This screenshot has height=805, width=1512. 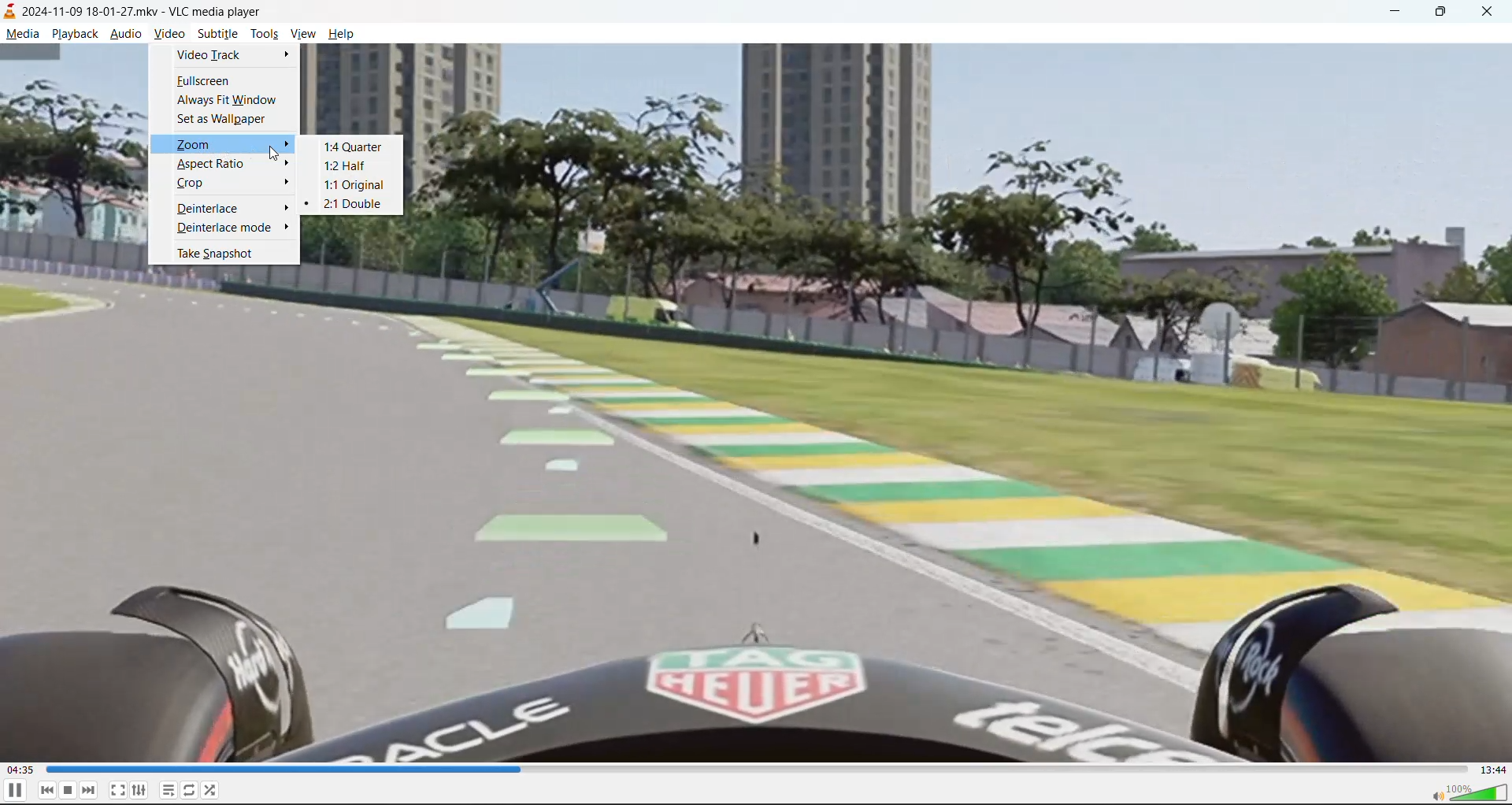 I want to click on video, so click(x=168, y=35).